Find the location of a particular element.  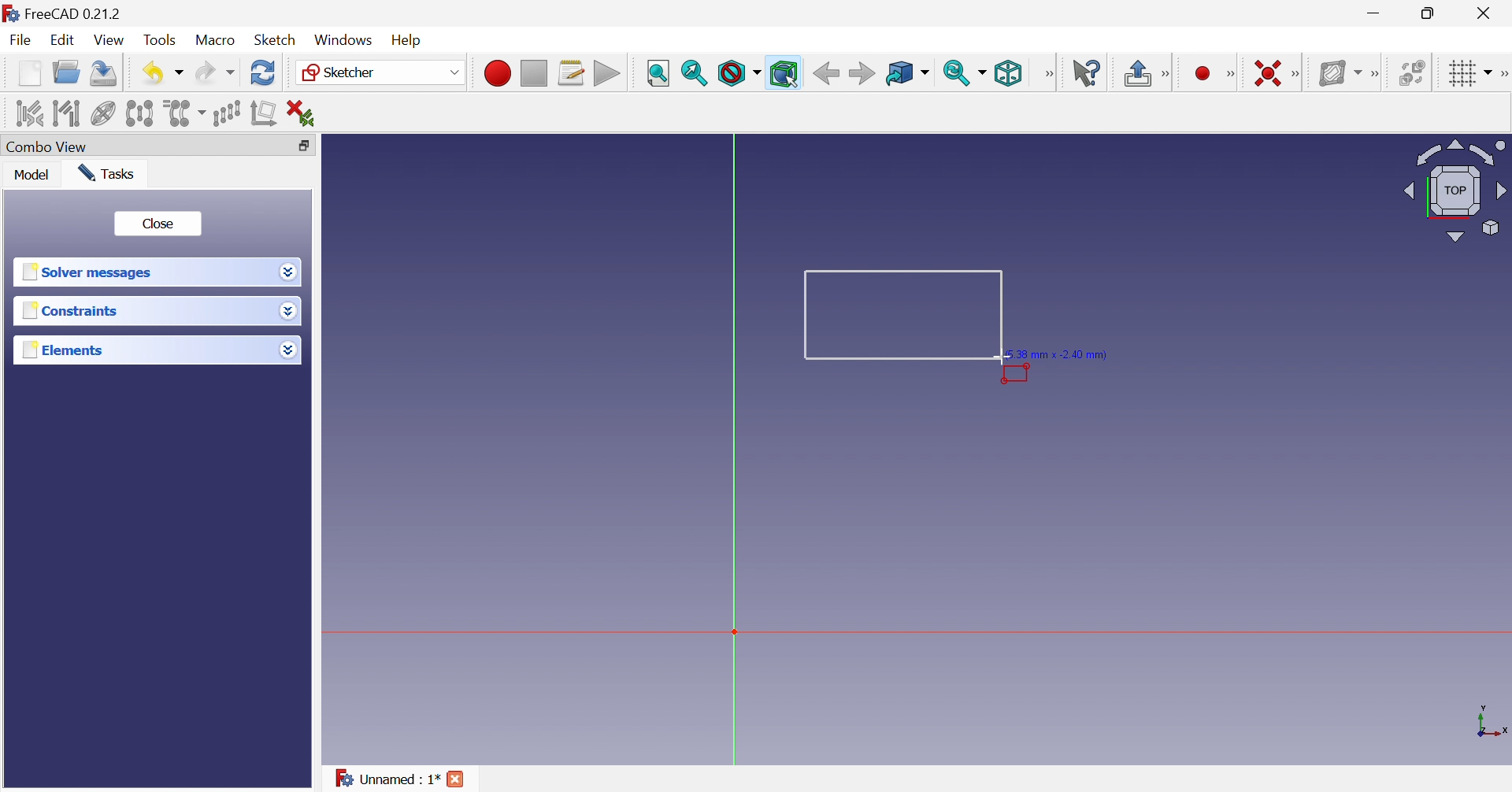

Windows is located at coordinates (343, 41).